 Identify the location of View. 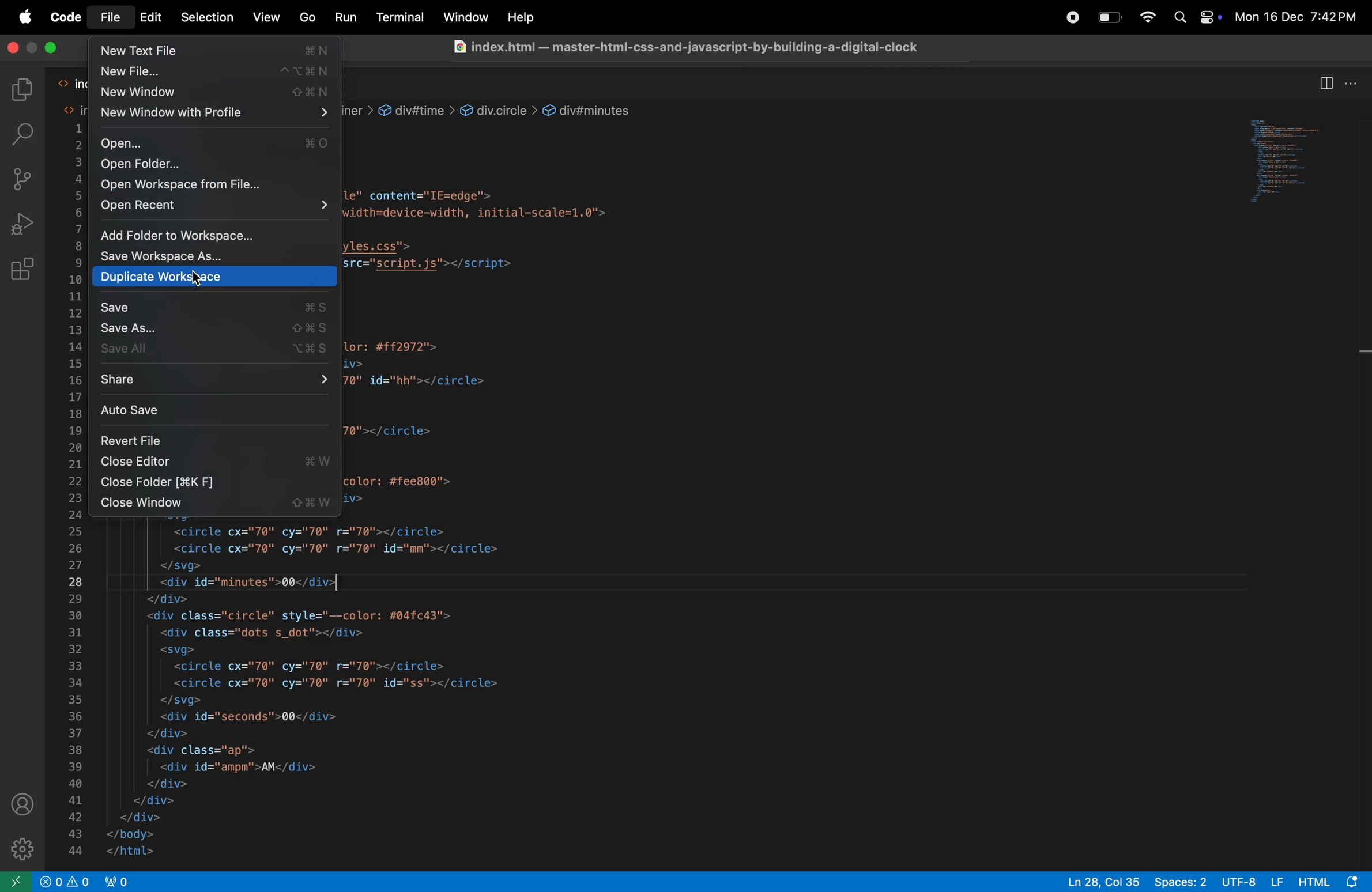
(268, 16).